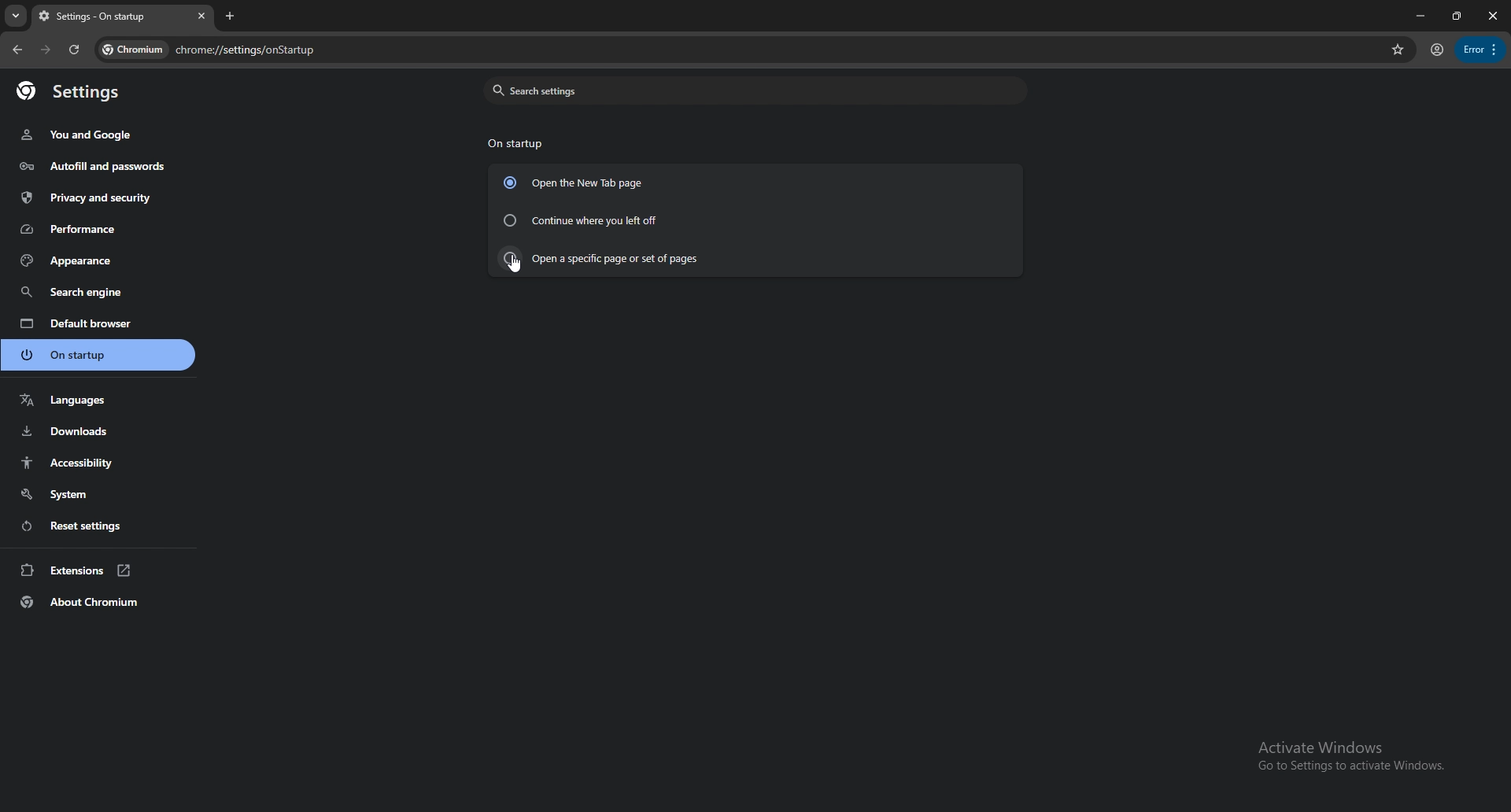 This screenshot has width=1511, height=812. What do you see at coordinates (81, 135) in the screenshot?
I see `you and google` at bounding box center [81, 135].